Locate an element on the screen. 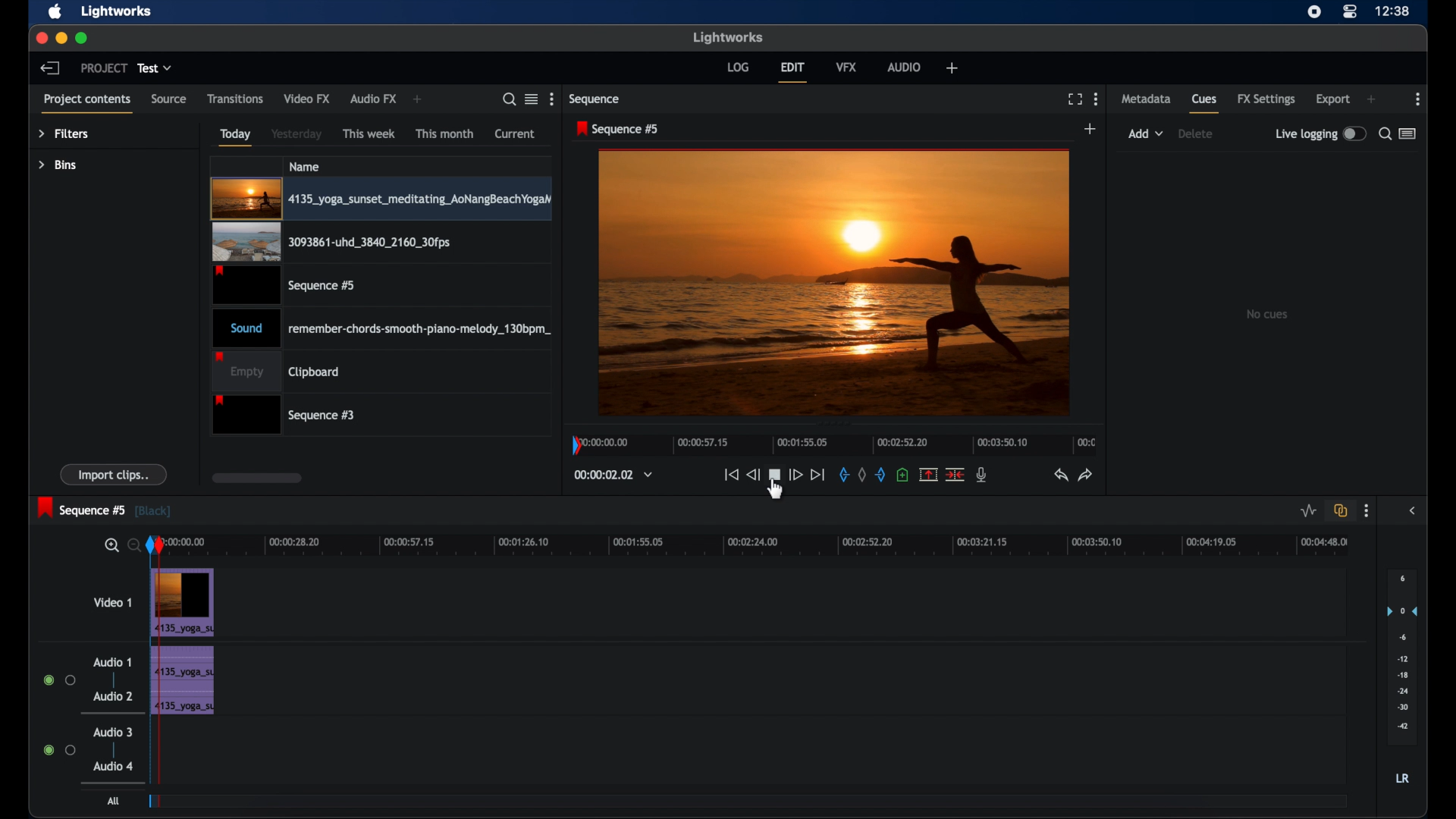  back is located at coordinates (52, 68).